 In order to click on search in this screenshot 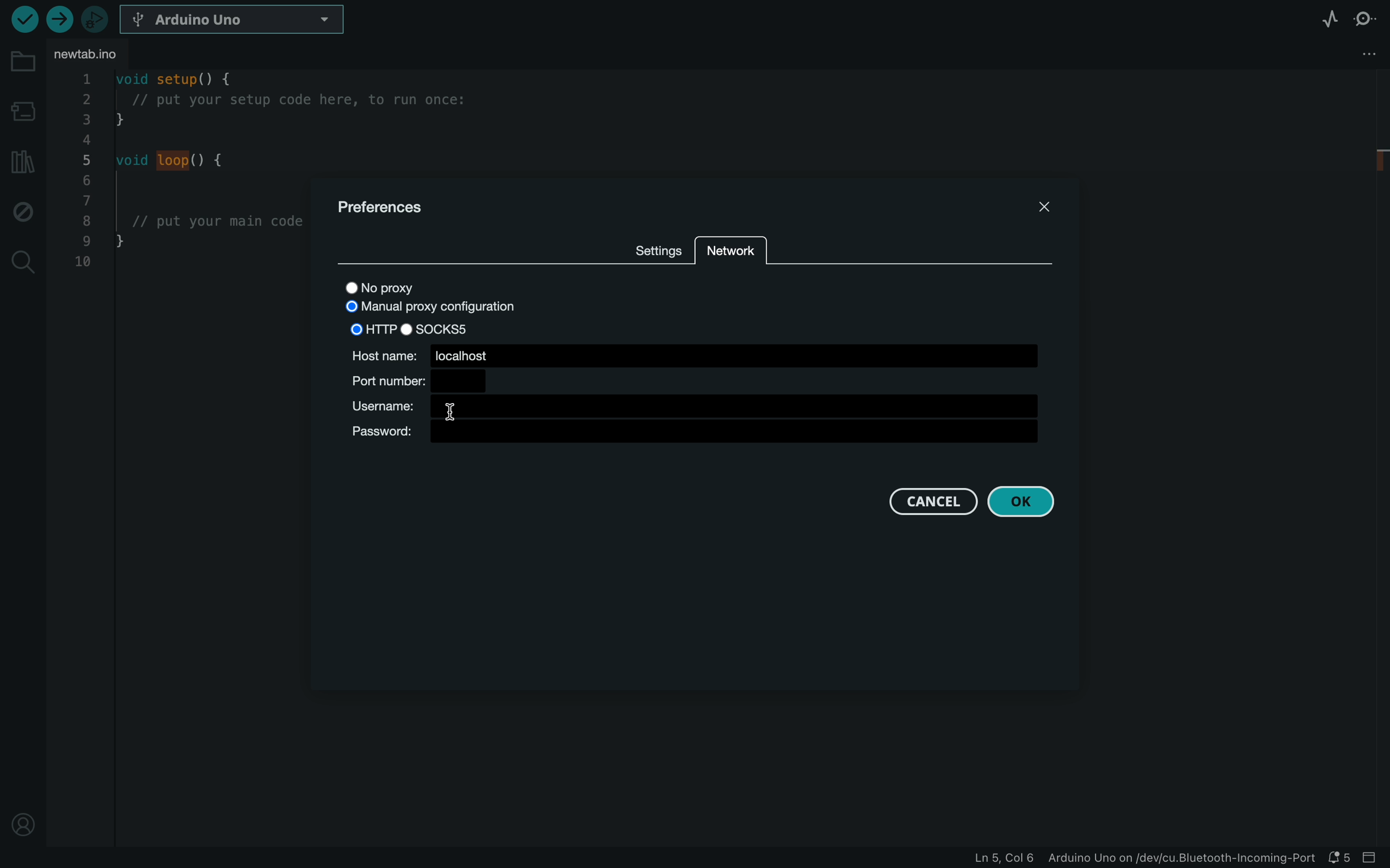, I will do `click(23, 262)`.